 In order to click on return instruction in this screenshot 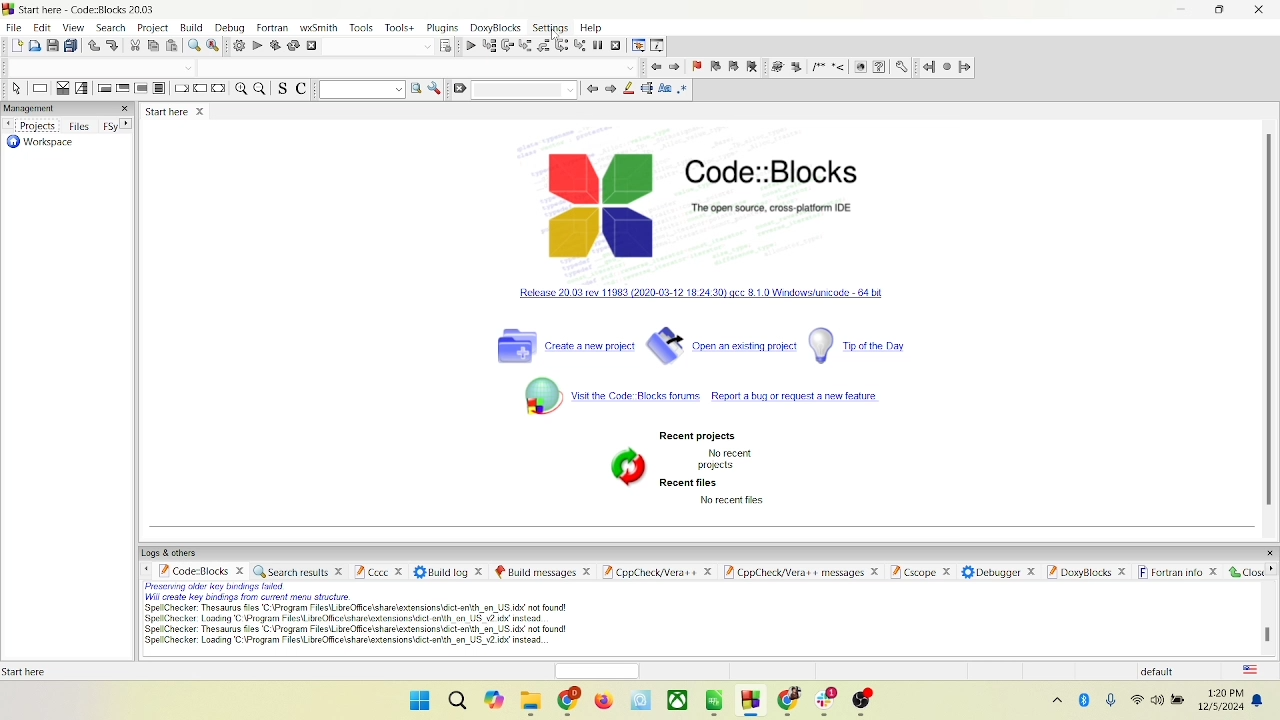, I will do `click(221, 88)`.